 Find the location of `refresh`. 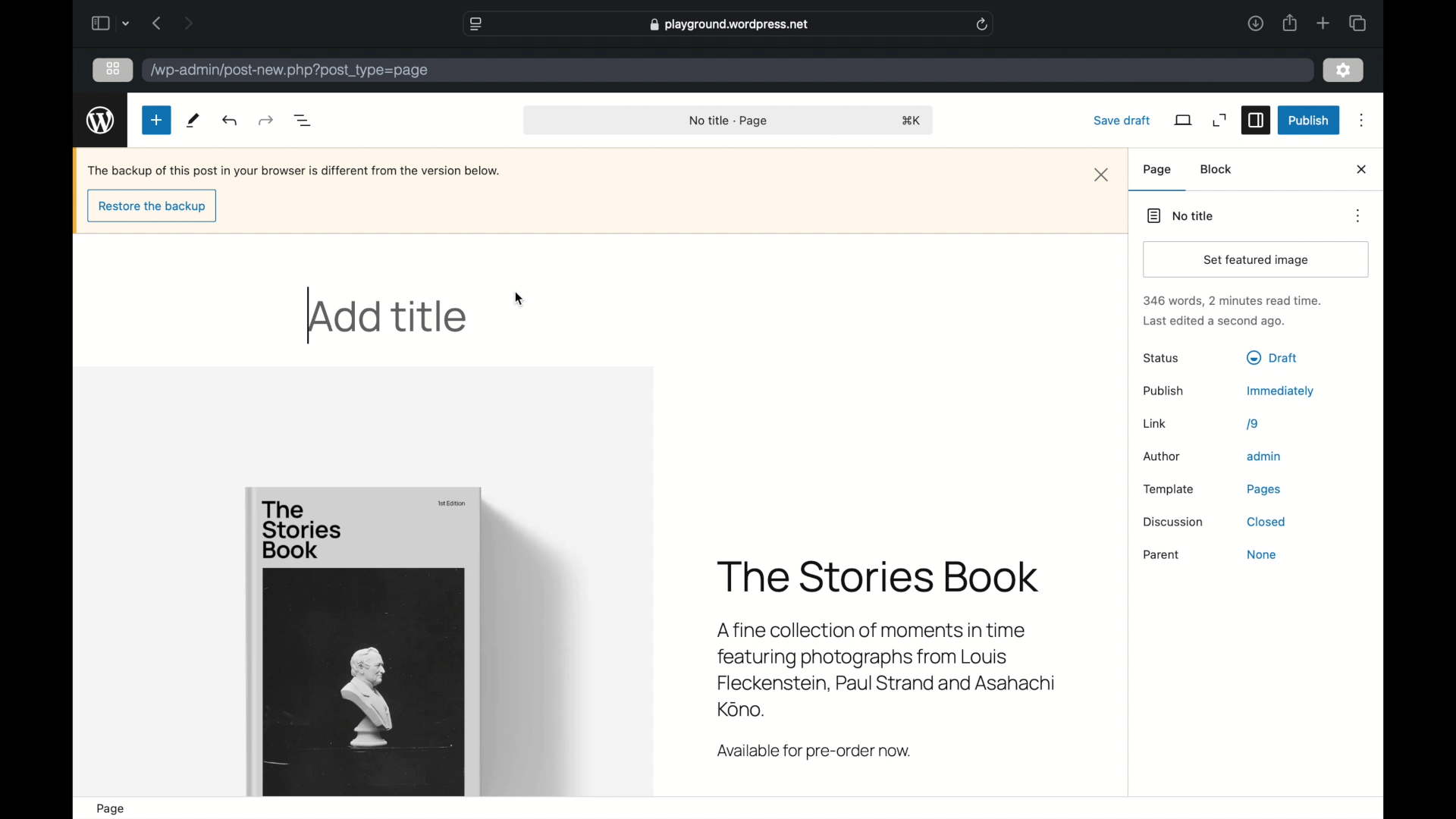

refresh is located at coordinates (982, 24).